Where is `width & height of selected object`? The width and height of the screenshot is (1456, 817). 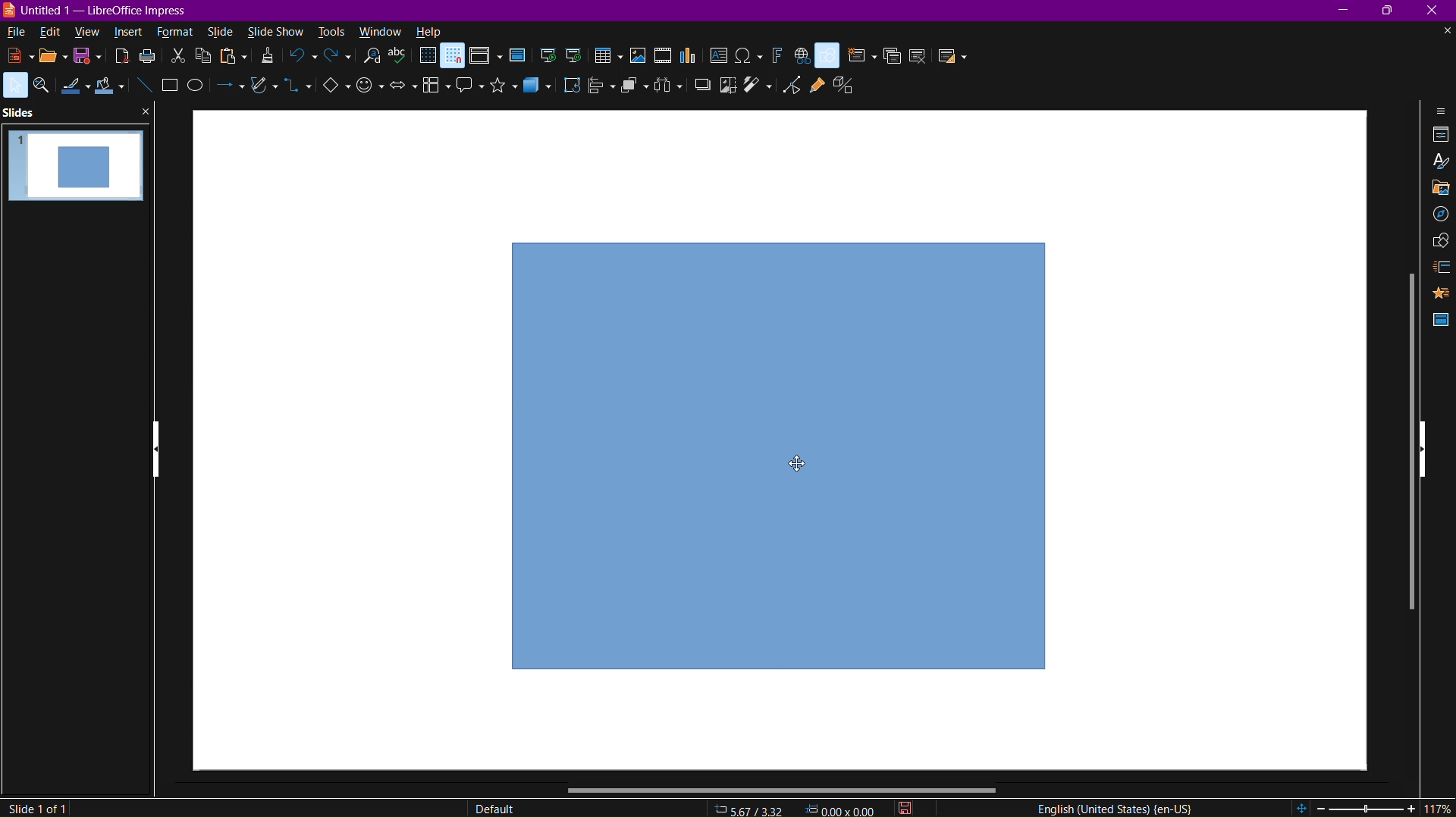
width & height of selected object is located at coordinates (841, 809).